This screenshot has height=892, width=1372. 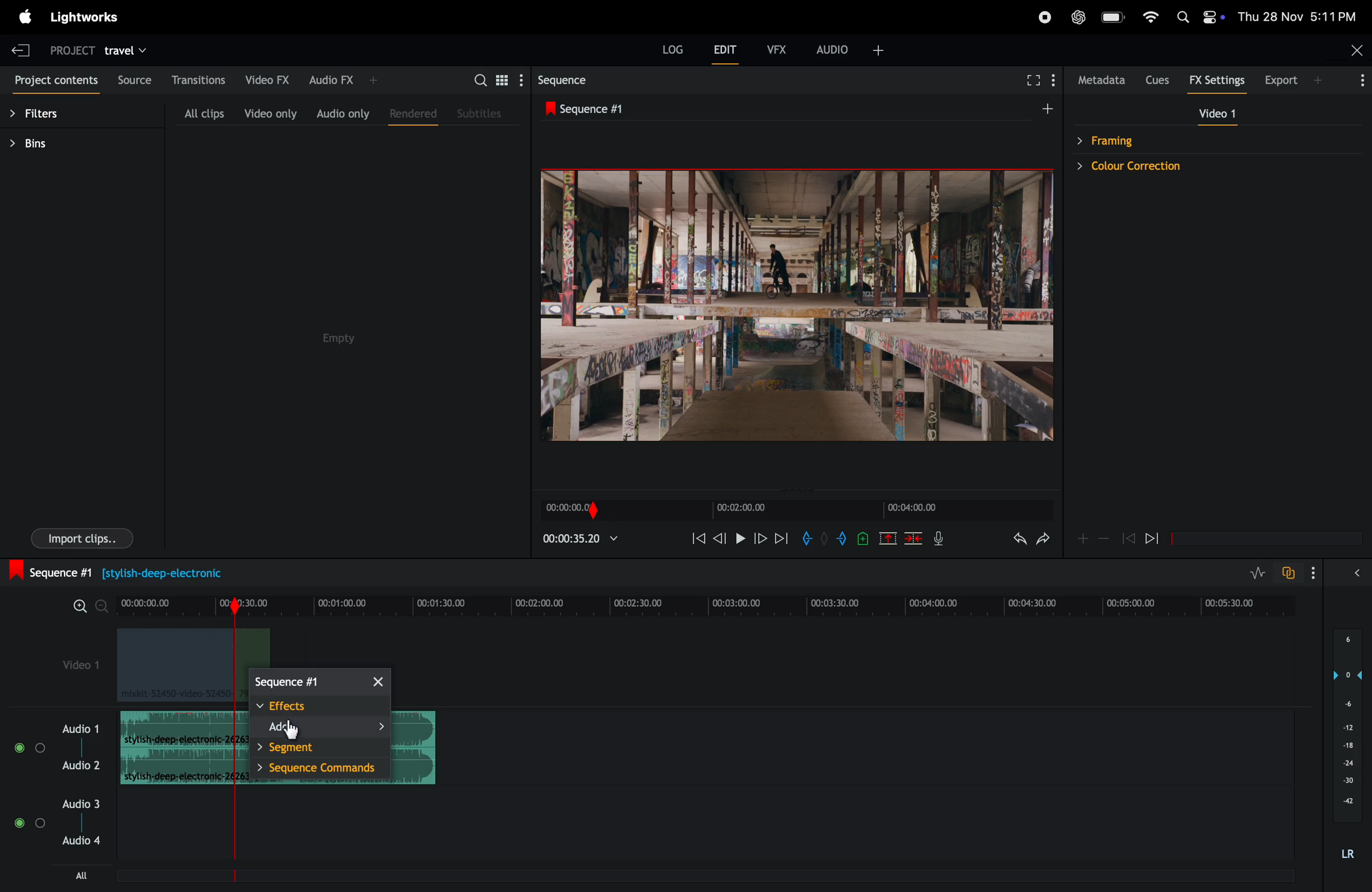 I want to click on All, so click(x=91, y=875).